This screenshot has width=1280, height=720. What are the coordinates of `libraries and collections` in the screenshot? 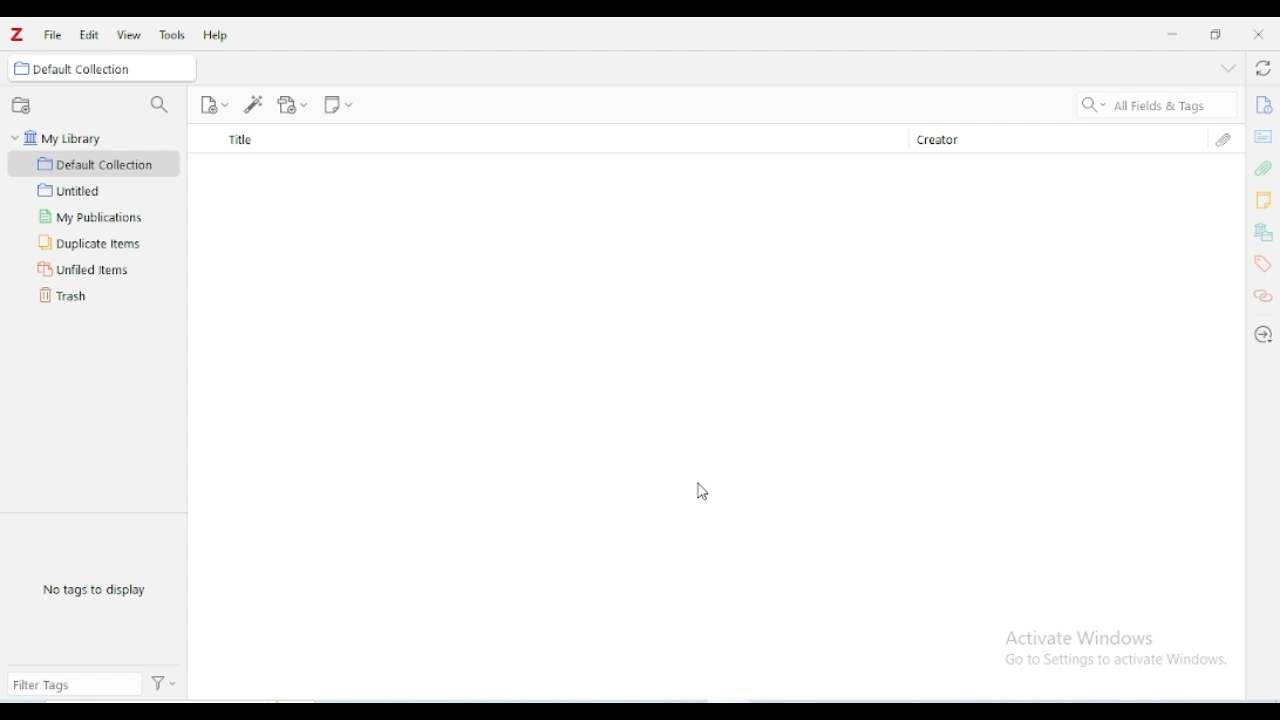 It's located at (1264, 233).